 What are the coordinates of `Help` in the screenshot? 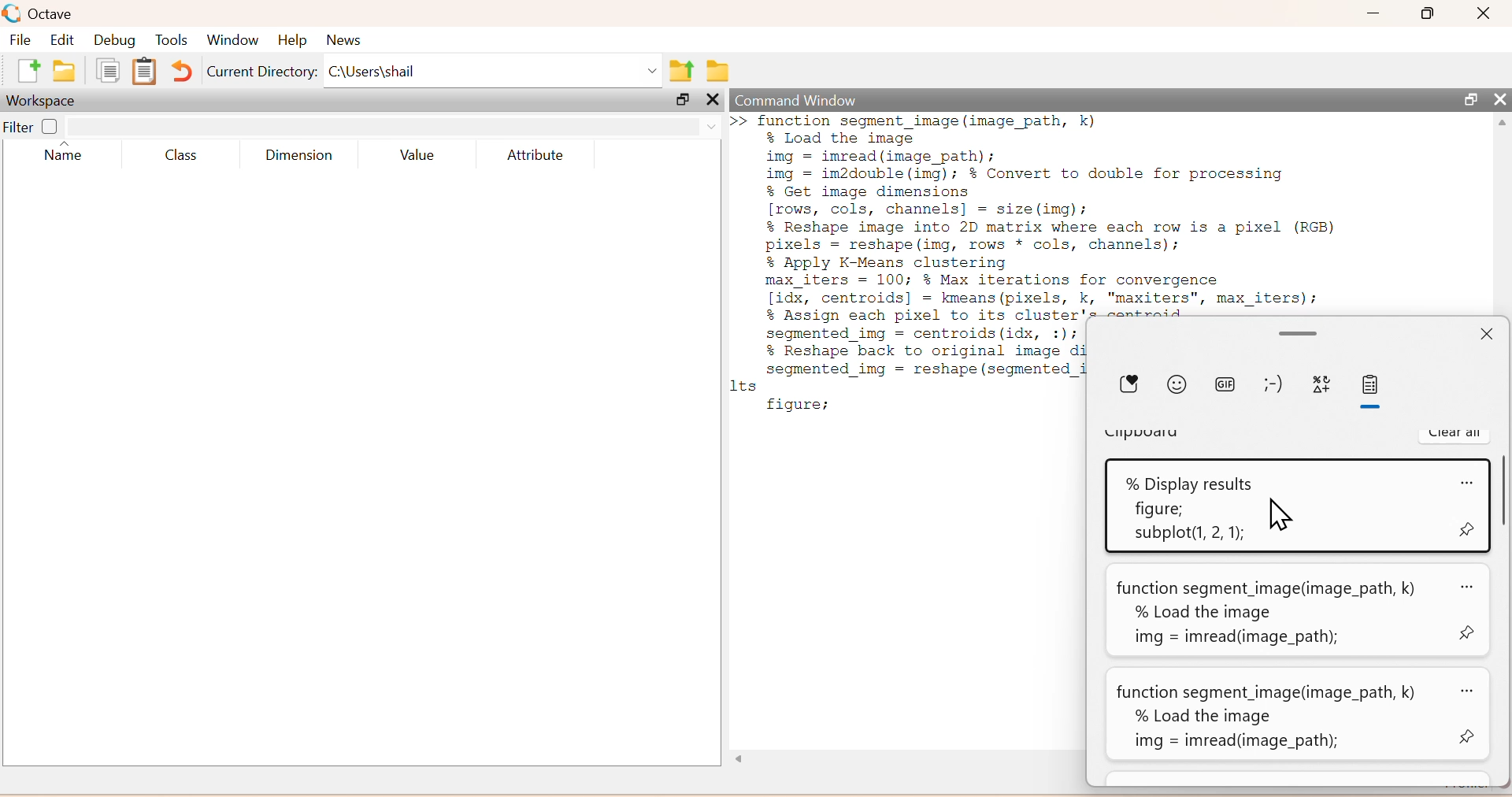 It's located at (291, 42).